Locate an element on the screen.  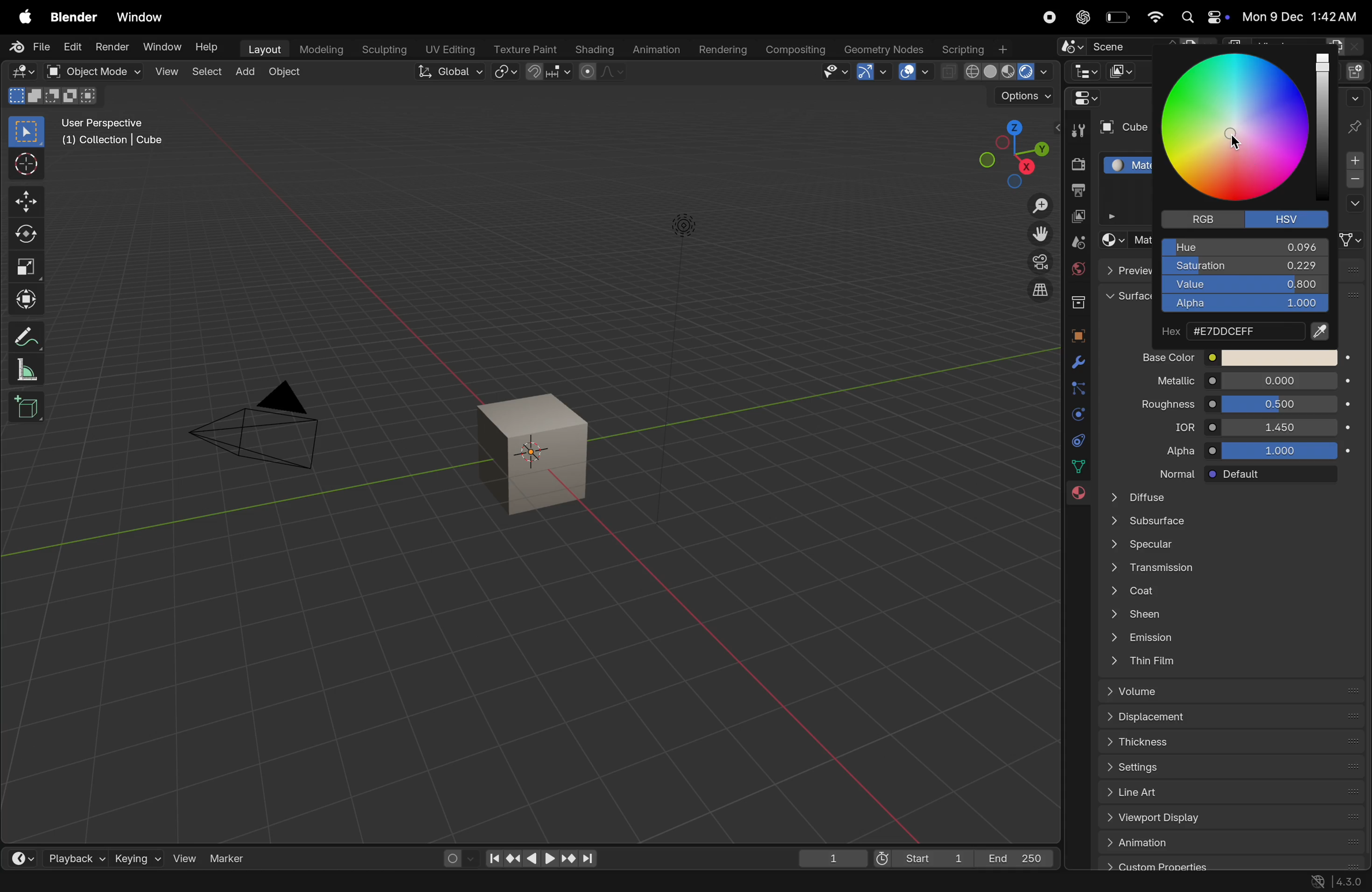
Global is located at coordinates (451, 71).